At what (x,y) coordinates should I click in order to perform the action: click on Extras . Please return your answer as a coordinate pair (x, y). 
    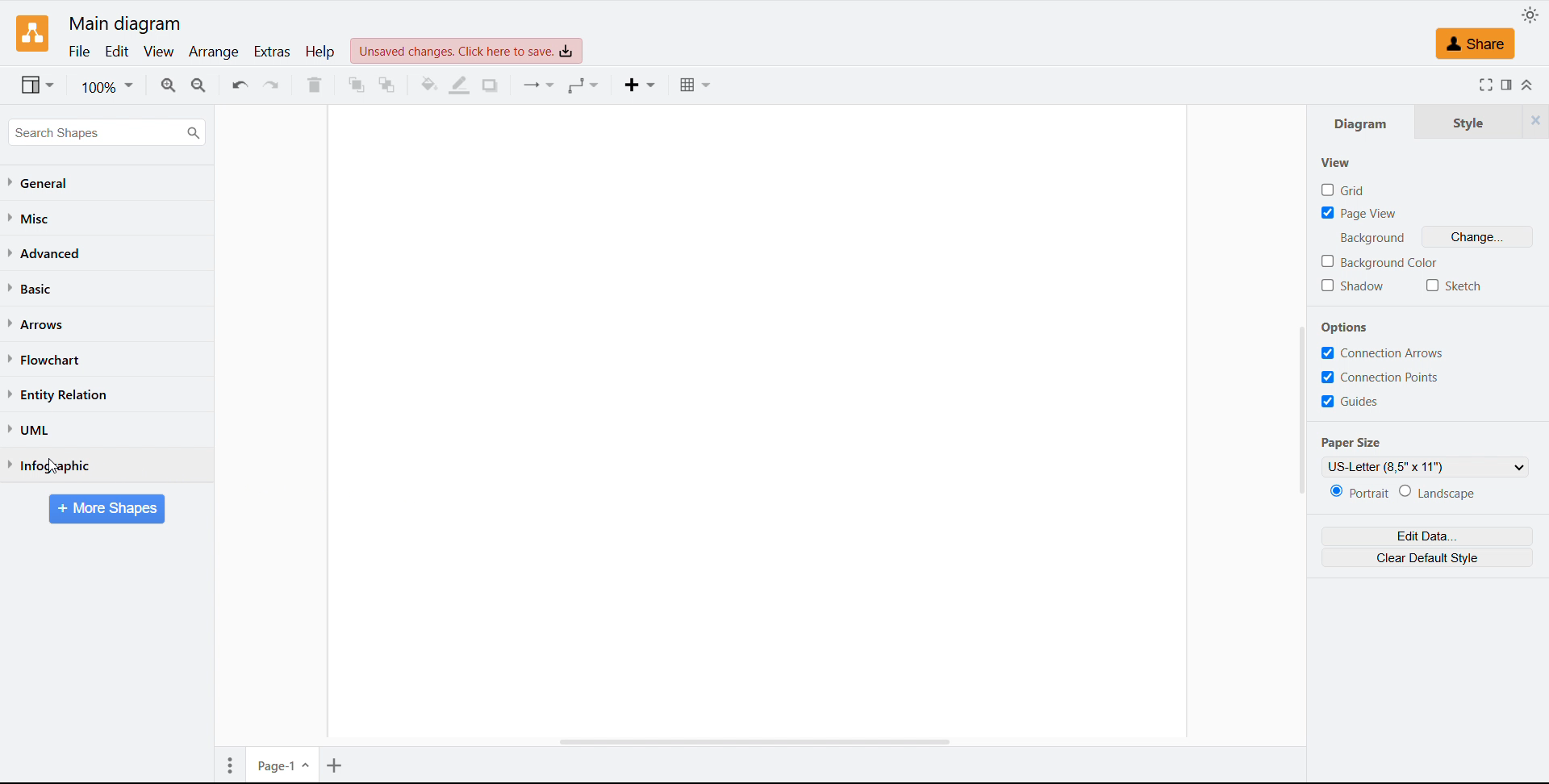
    Looking at the image, I should click on (271, 52).